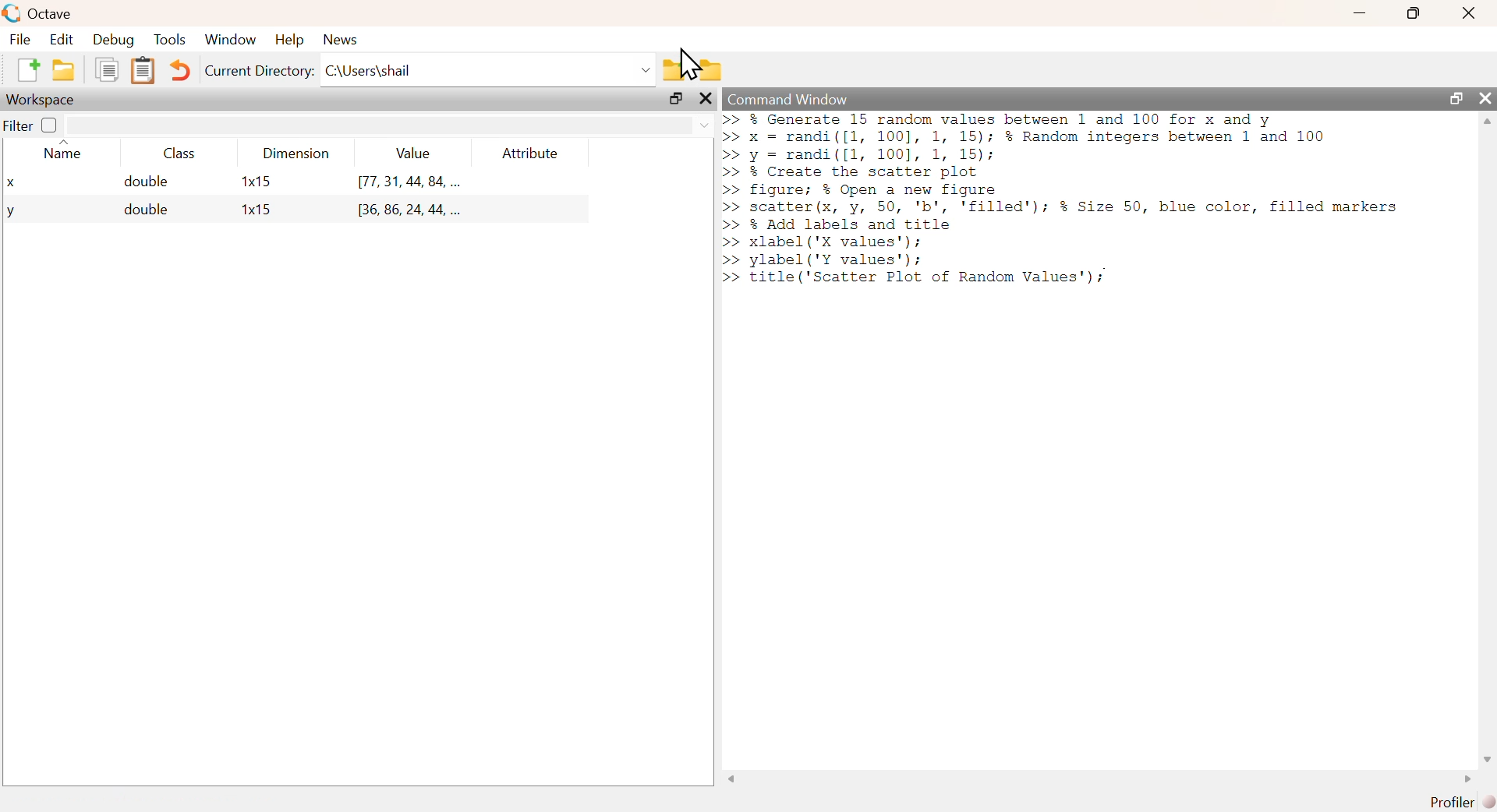  Describe the element at coordinates (143, 71) in the screenshot. I see `Clipboard` at that location.